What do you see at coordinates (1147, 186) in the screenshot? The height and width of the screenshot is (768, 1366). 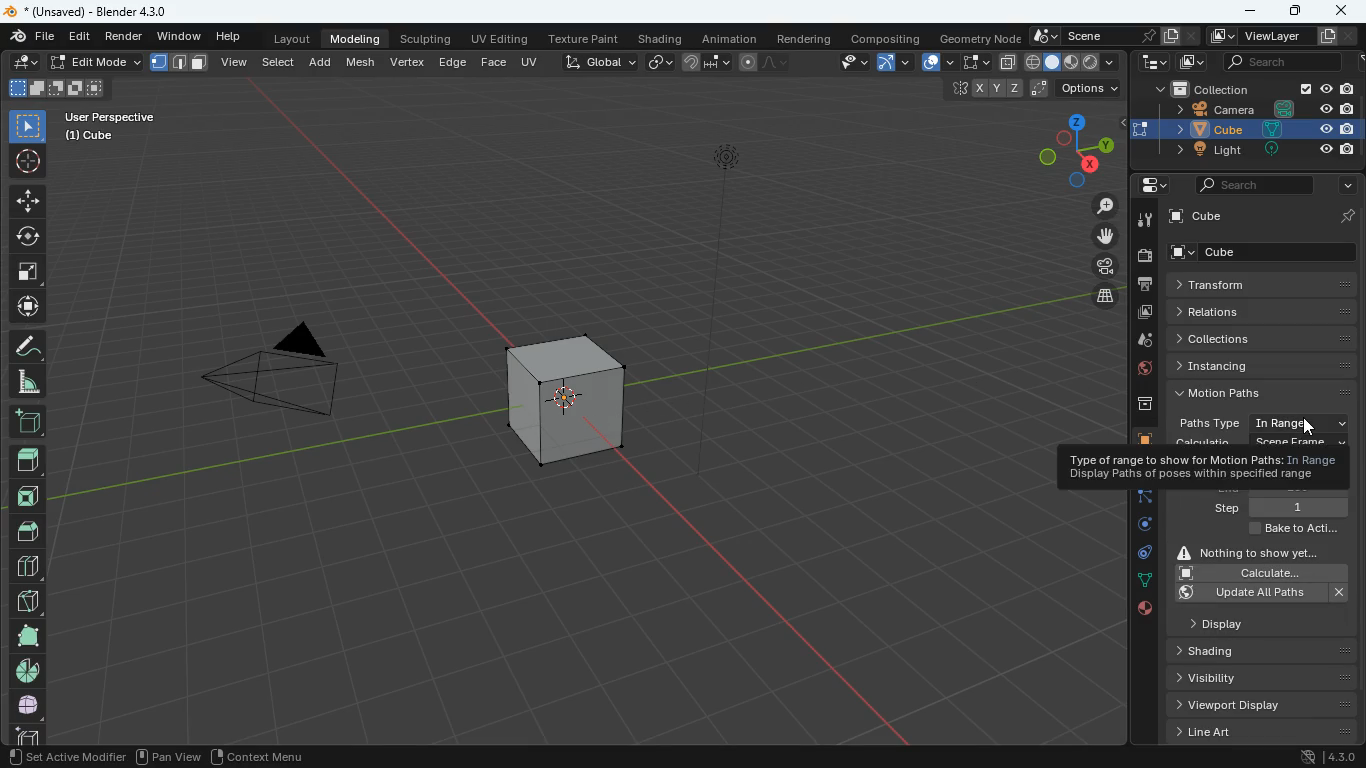 I see `settings` at bounding box center [1147, 186].